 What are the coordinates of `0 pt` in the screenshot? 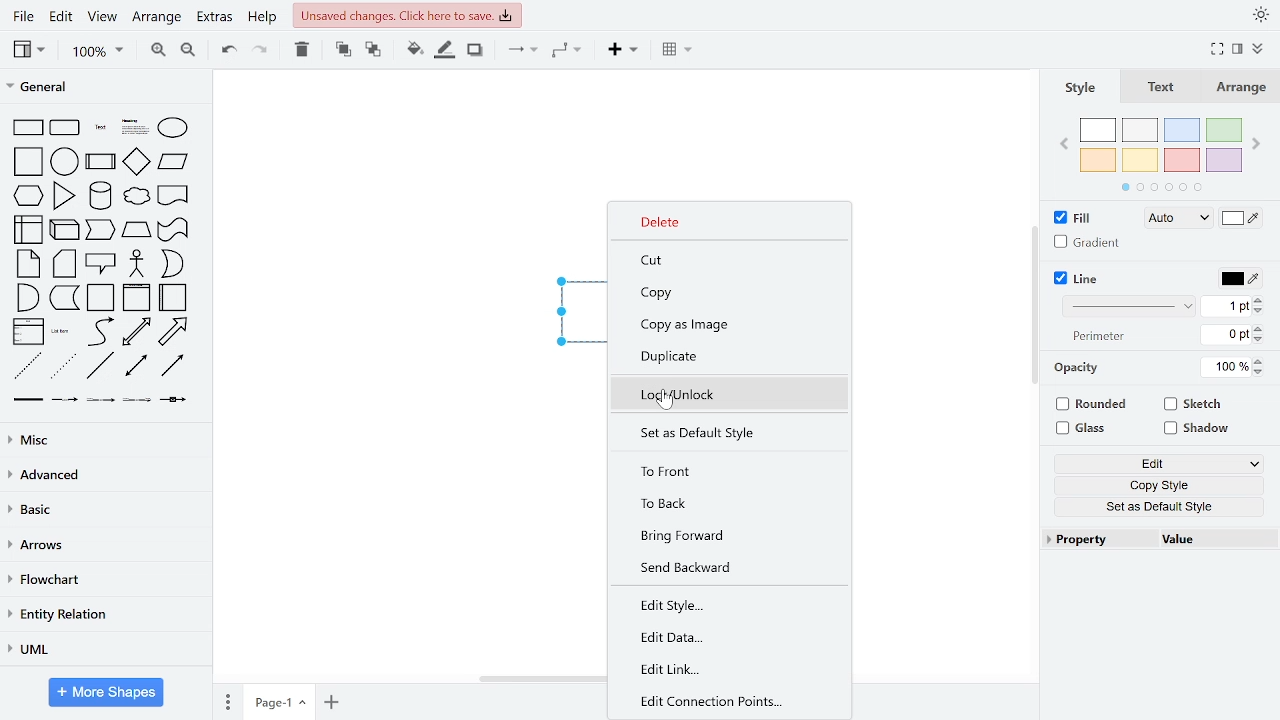 It's located at (1228, 335).